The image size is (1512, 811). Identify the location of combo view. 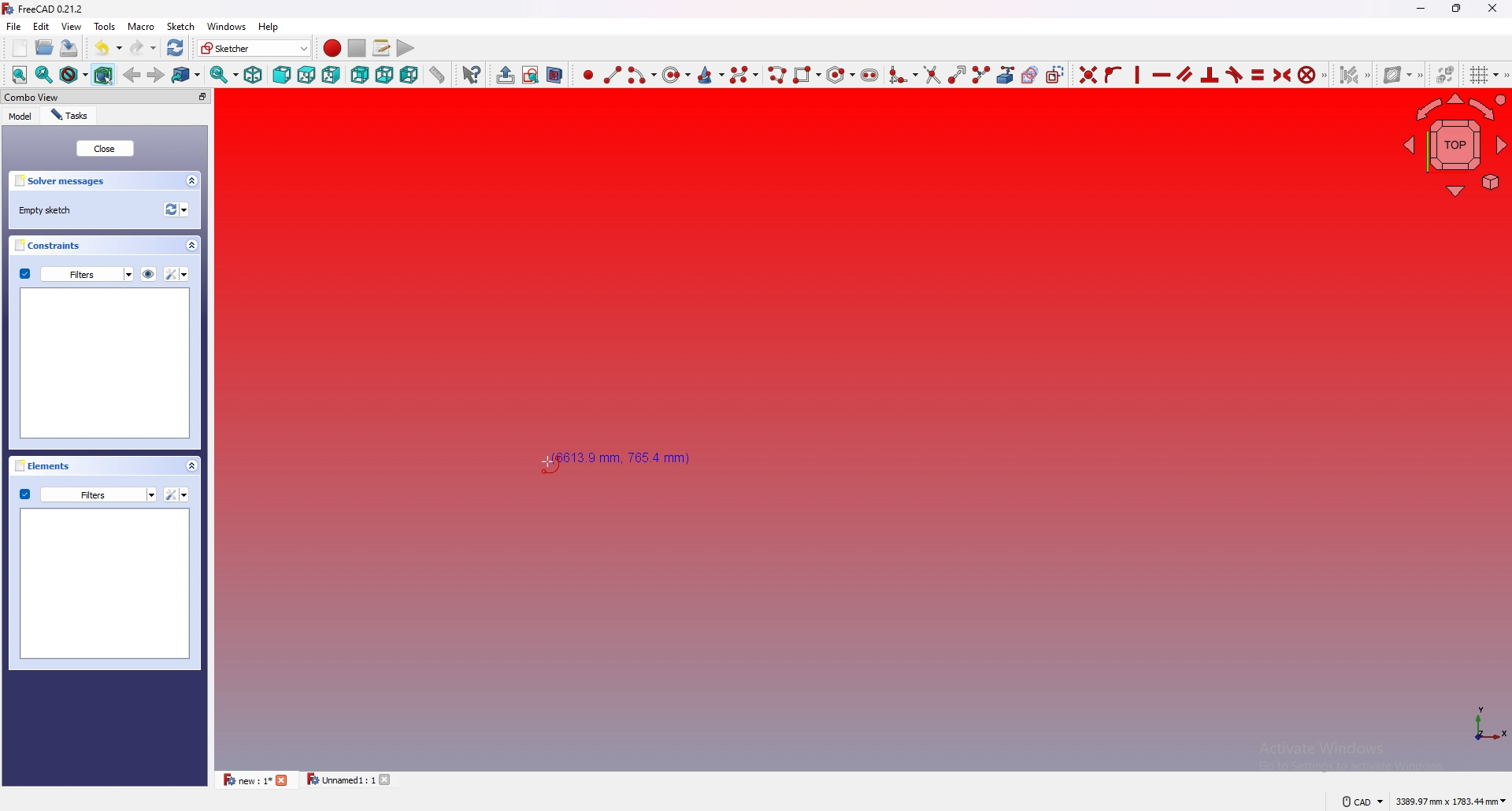
(69, 97).